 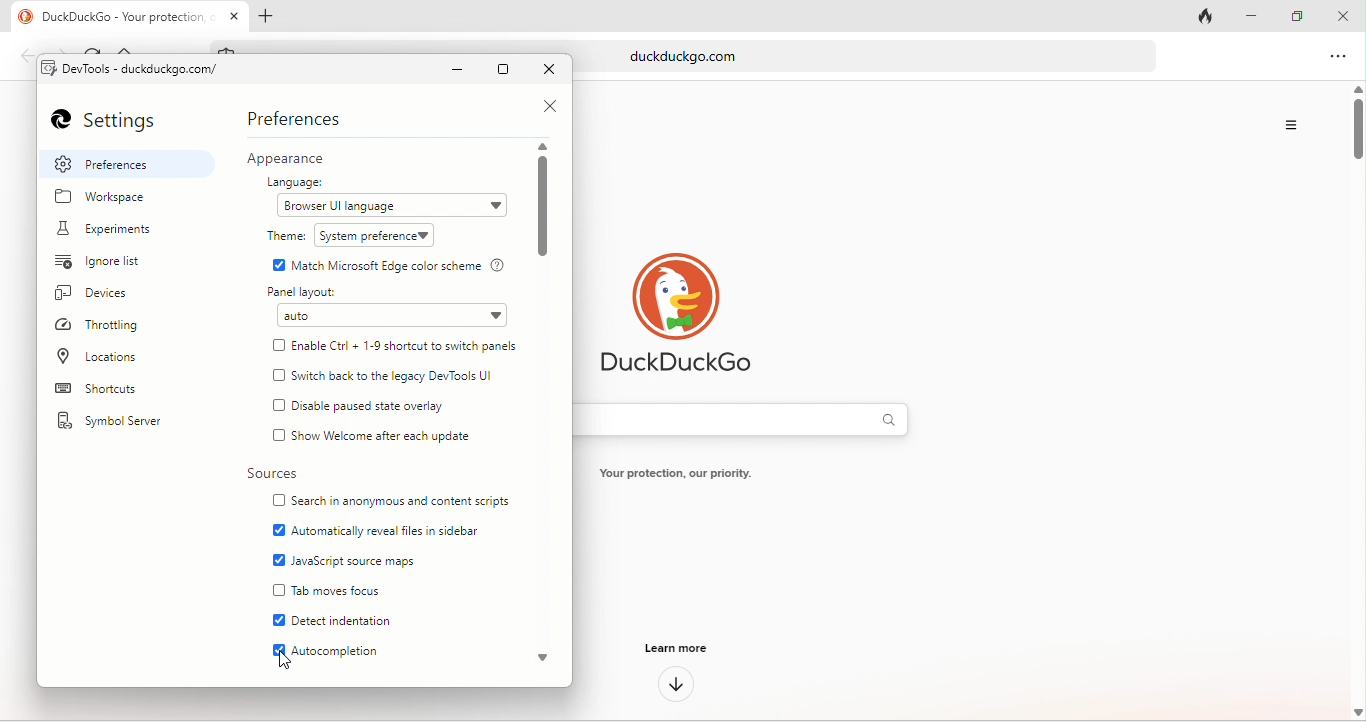 I want to click on close, so click(x=543, y=106).